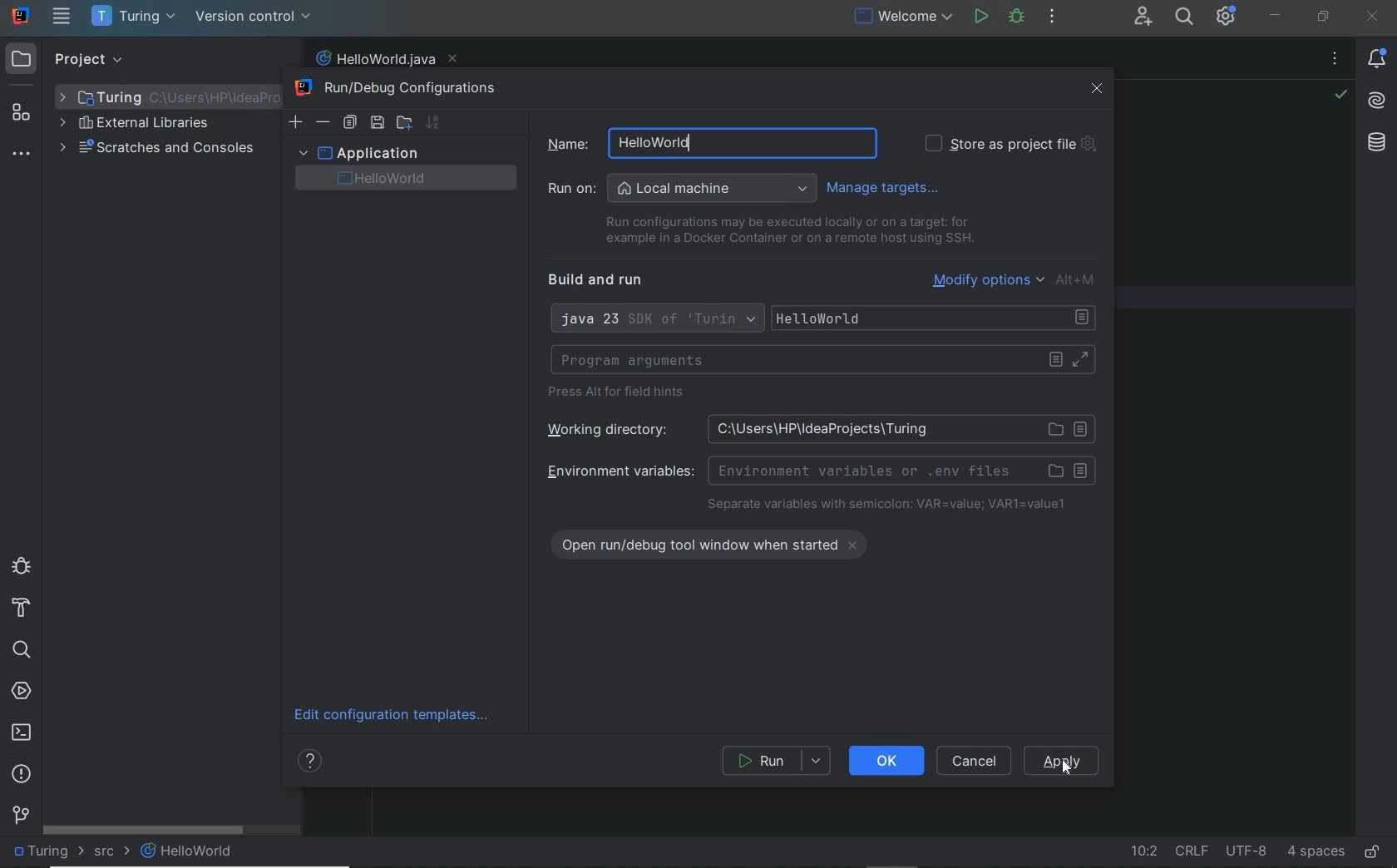 The image size is (1397, 868). What do you see at coordinates (1380, 146) in the screenshot?
I see `Database` at bounding box center [1380, 146].